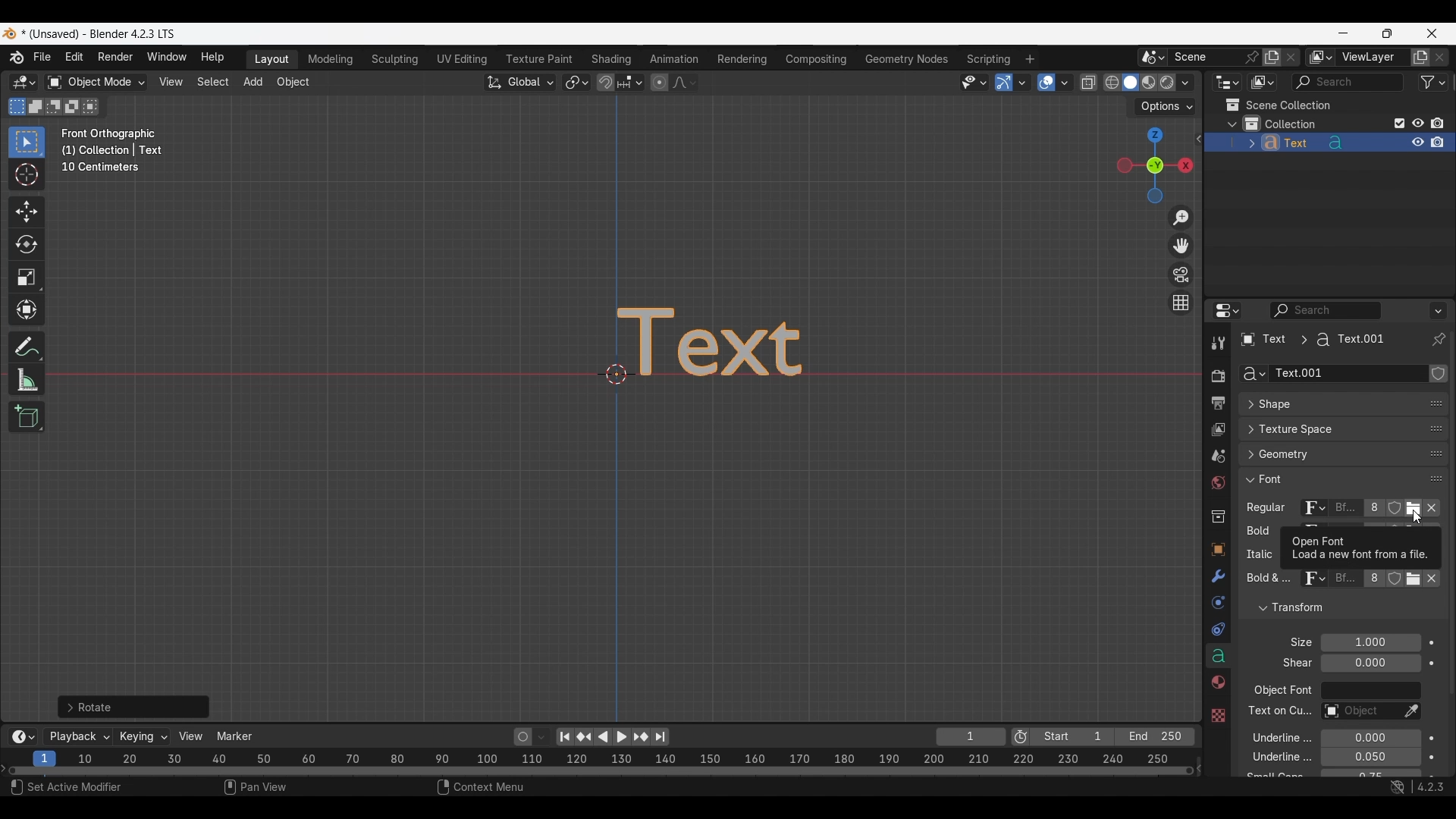 The height and width of the screenshot is (819, 1456). Describe the element at coordinates (1200, 767) in the screenshot. I see `Decrease frames space` at that location.